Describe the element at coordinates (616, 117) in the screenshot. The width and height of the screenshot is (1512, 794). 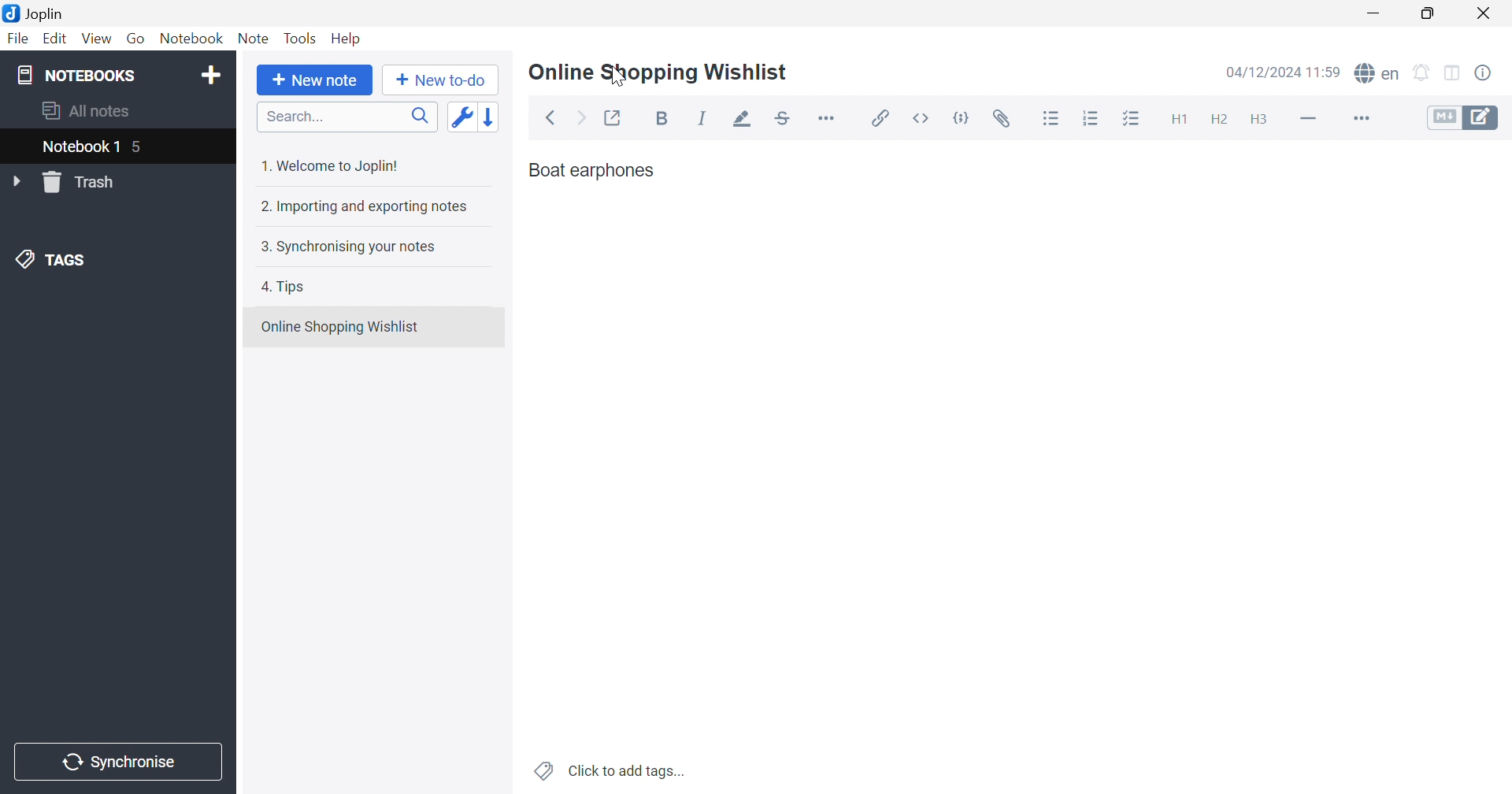
I see `Toggle external editing` at that location.